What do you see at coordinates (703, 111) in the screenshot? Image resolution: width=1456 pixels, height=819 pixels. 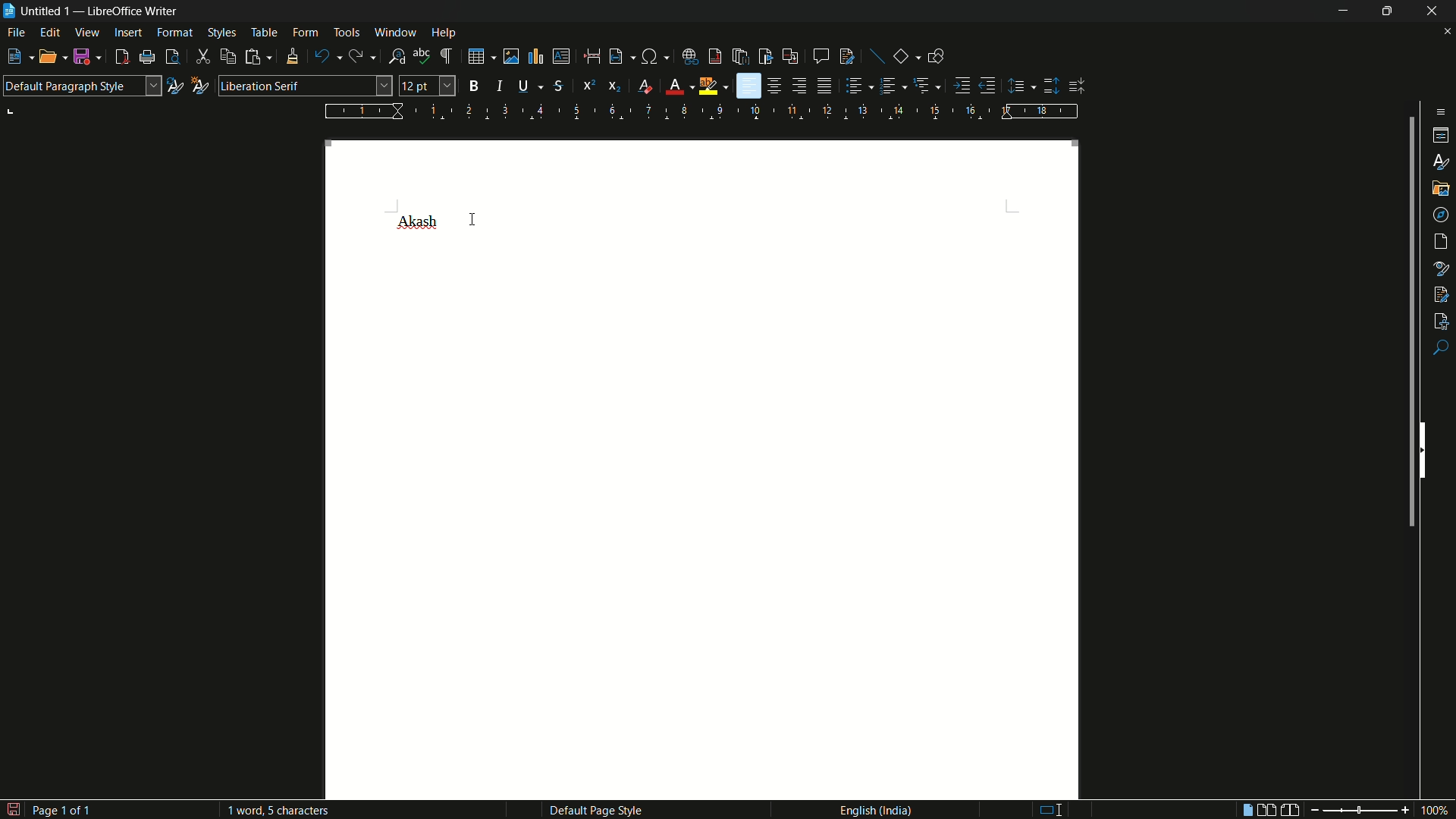 I see `width measure scale` at bounding box center [703, 111].